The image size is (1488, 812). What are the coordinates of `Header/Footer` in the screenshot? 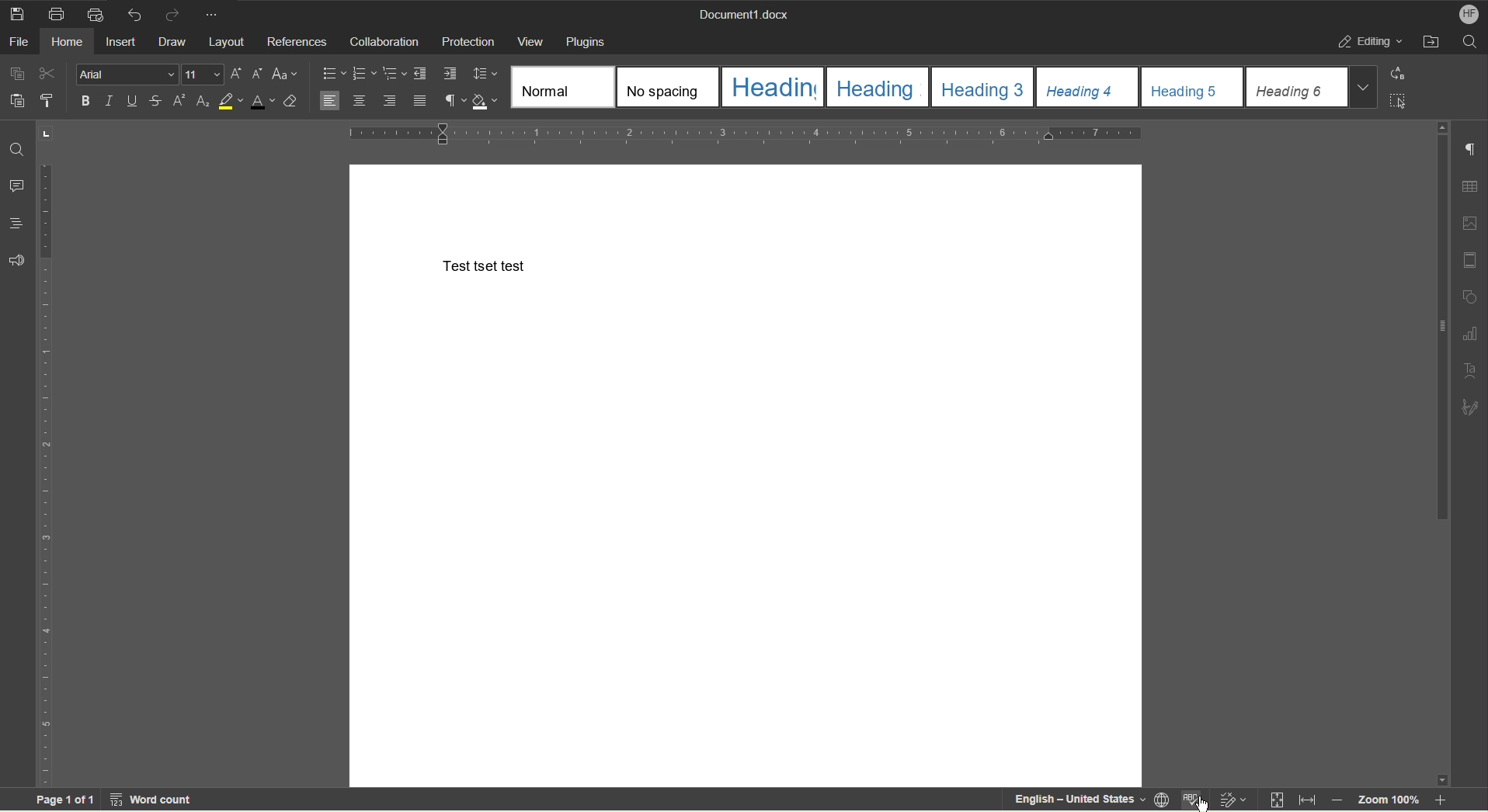 It's located at (1471, 260).